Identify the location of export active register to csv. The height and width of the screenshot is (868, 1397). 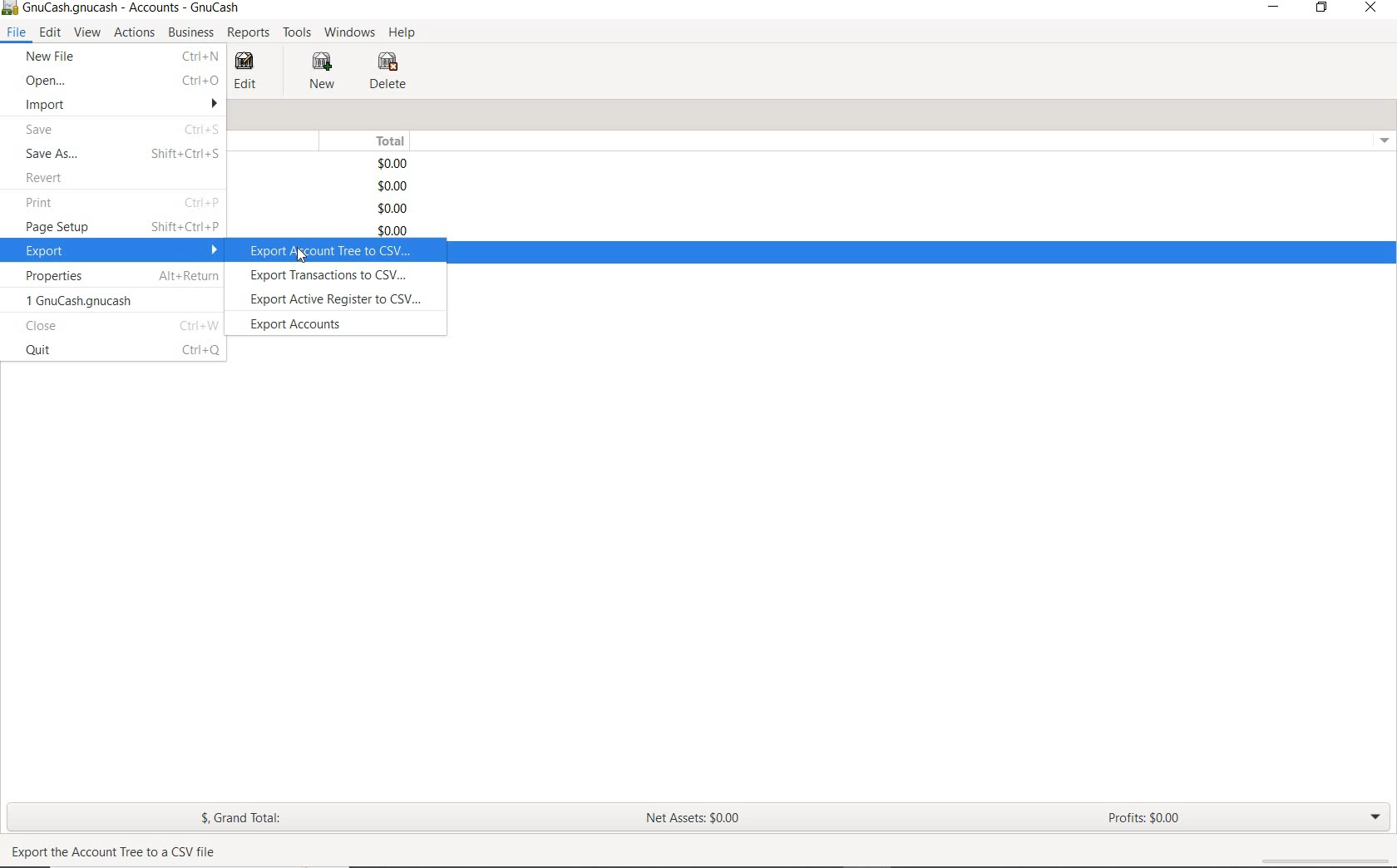
(335, 300).